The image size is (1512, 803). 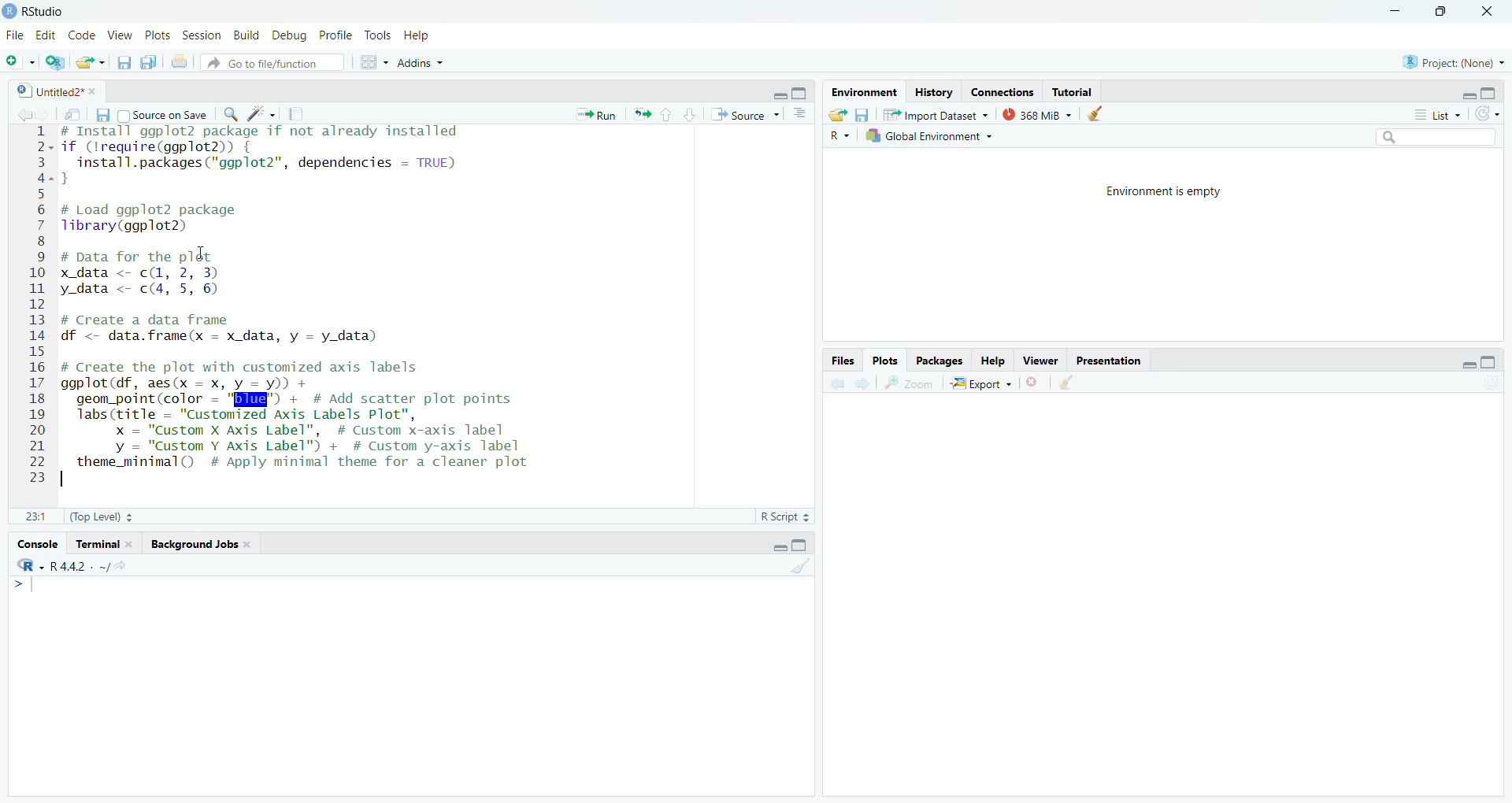 I want to click on > |, so click(x=31, y=587).